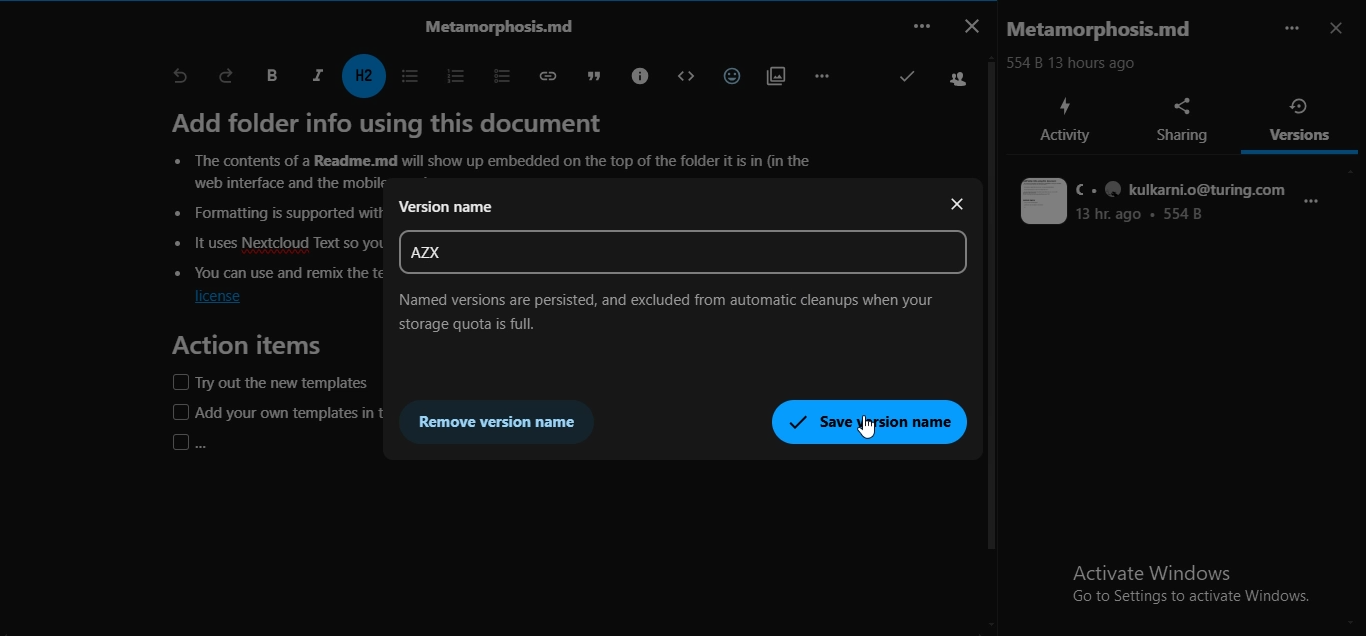 This screenshot has height=636, width=1366. Describe the element at coordinates (1316, 208) in the screenshot. I see `more options` at that location.